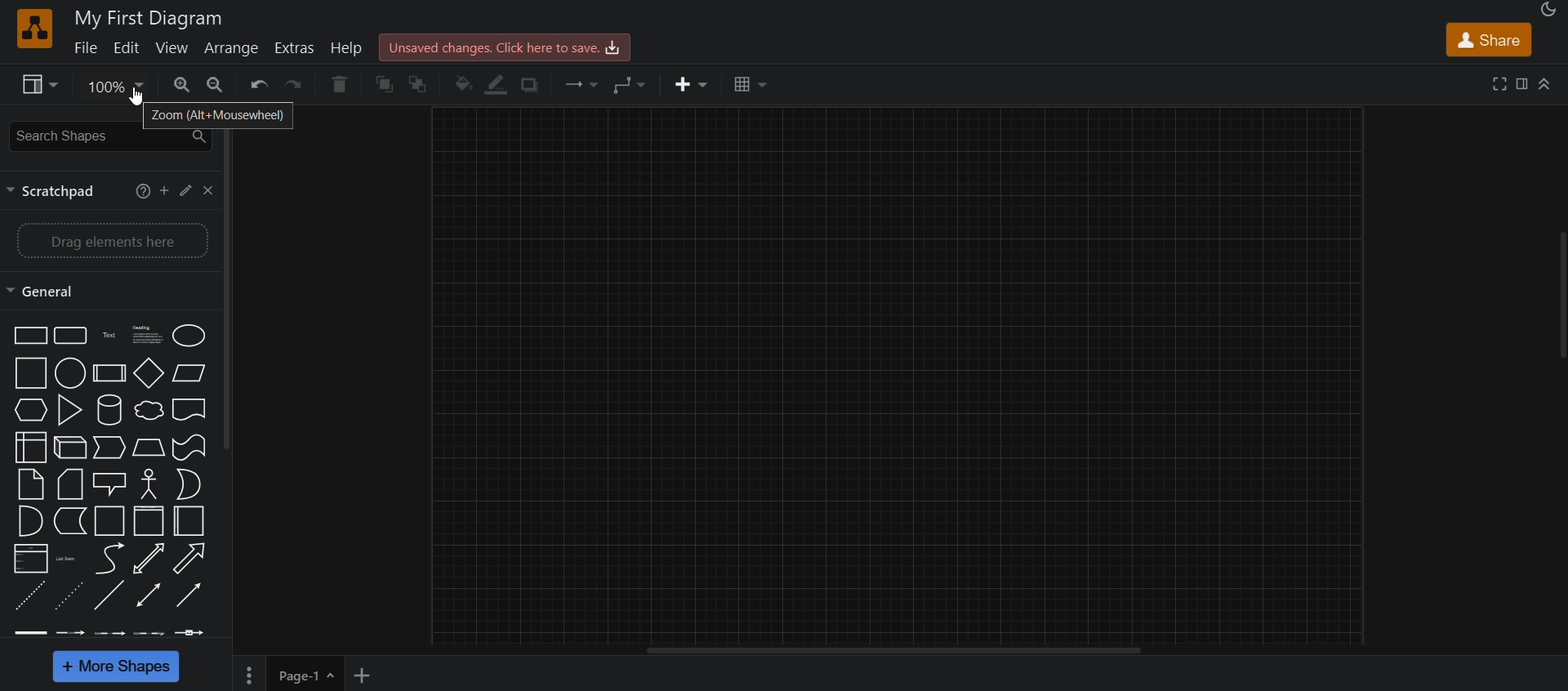 The image size is (1568, 691). I want to click on format, so click(1526, 82).